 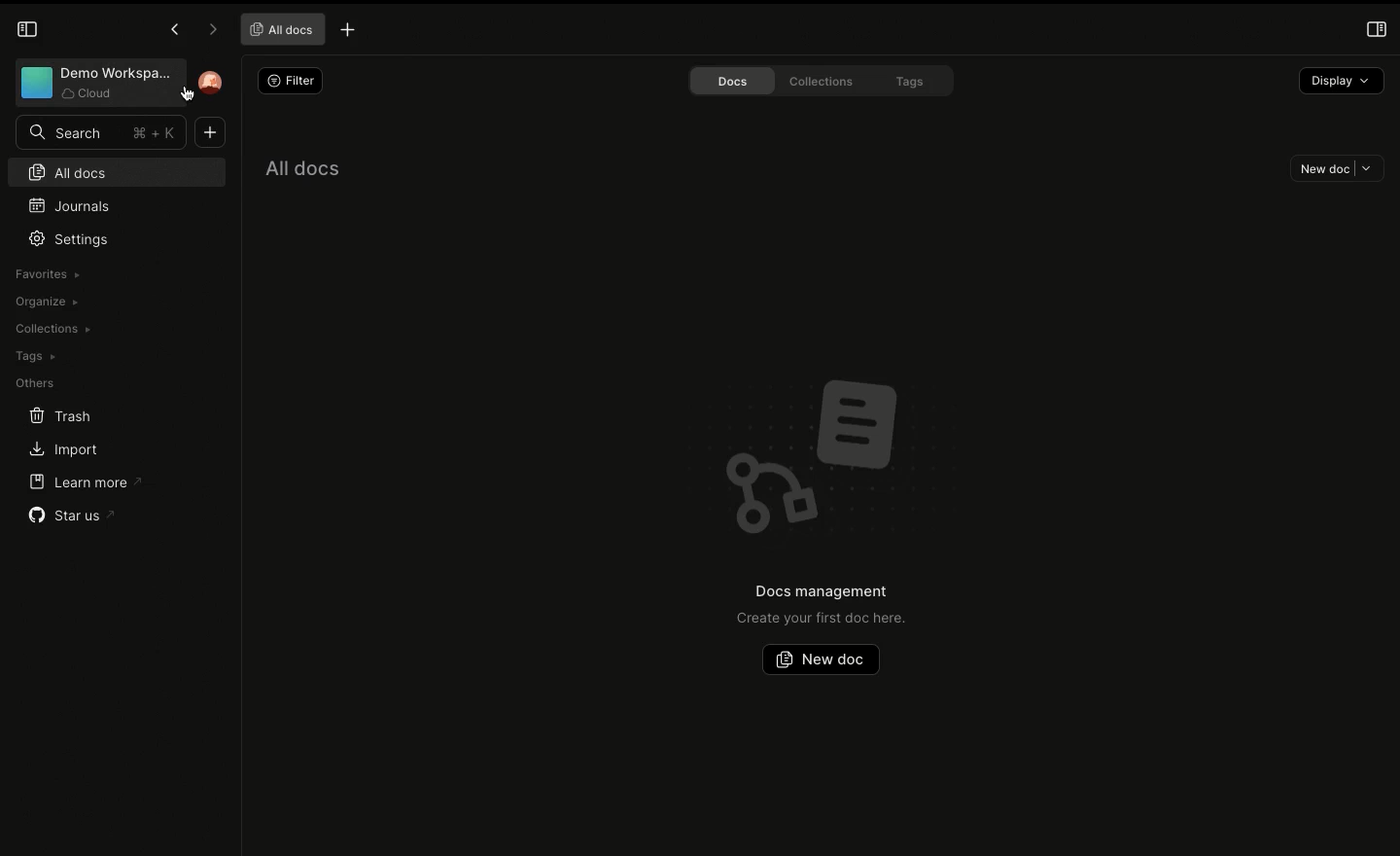 What do you see at coordinates (209, 30) in the screenshot?
I see `Forward` at bounding box center [209, 30].